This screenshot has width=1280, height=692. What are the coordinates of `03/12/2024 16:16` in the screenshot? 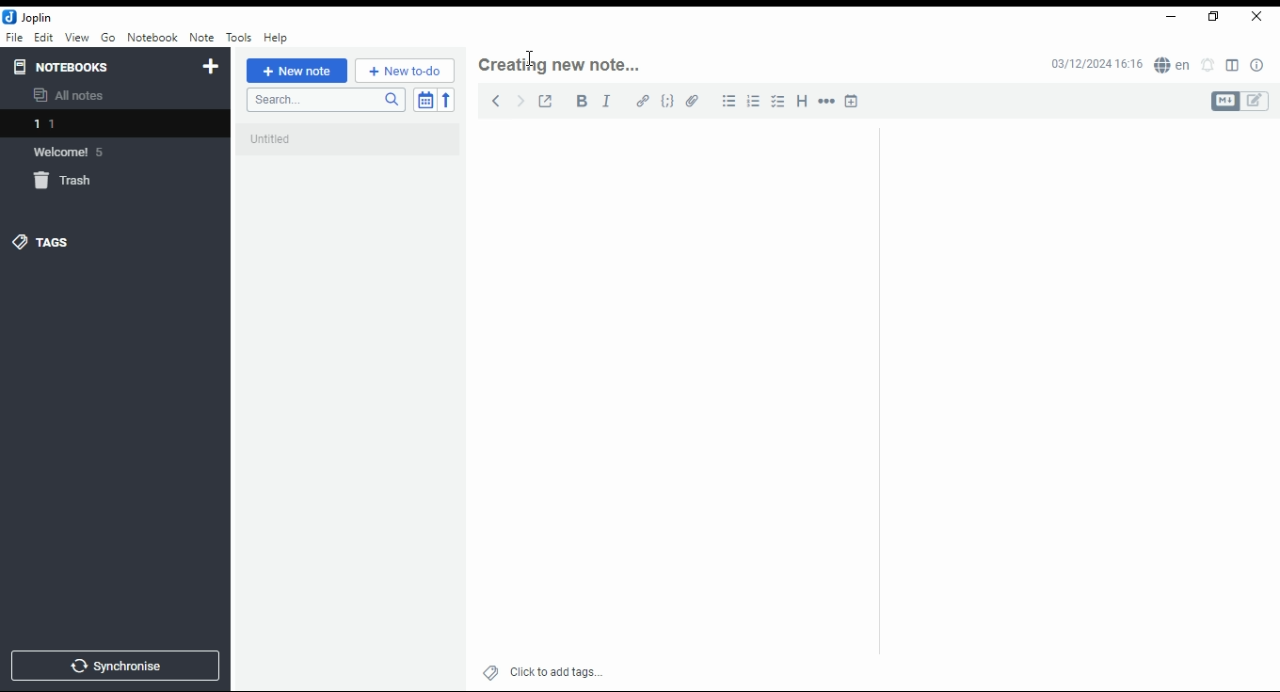 It's located at (1096, 64).